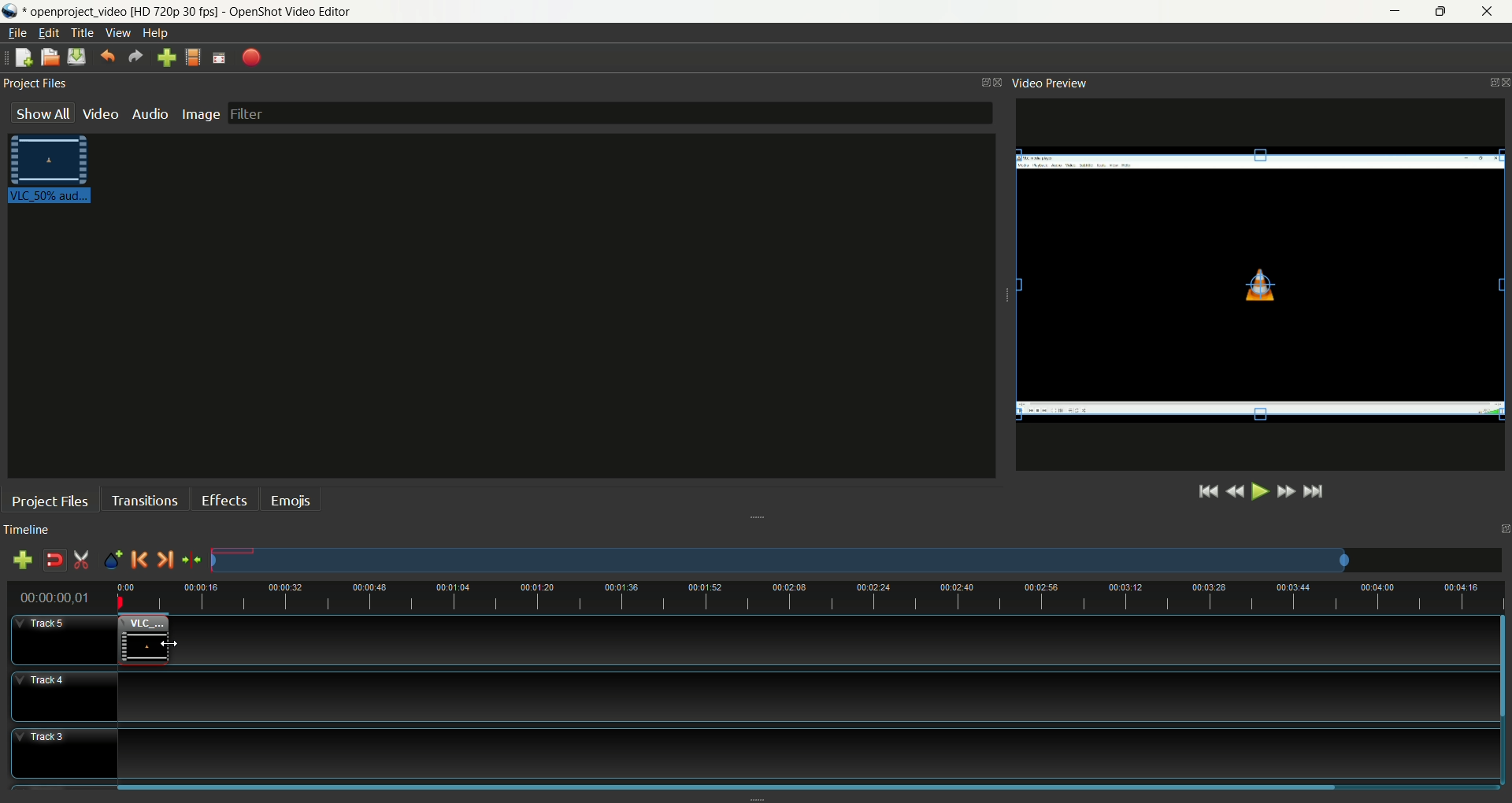  I want to click on rewind, so click(1235, 493).